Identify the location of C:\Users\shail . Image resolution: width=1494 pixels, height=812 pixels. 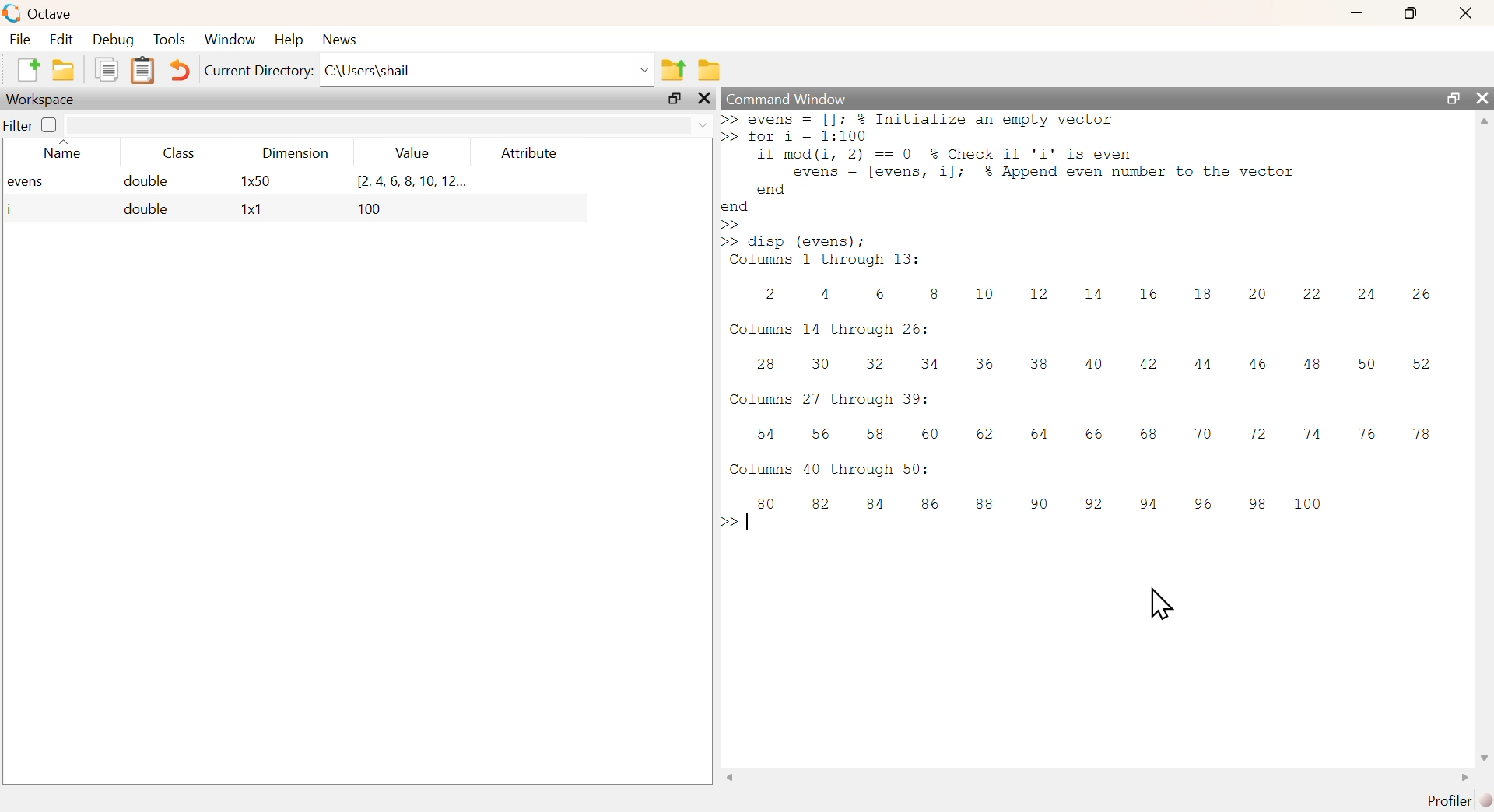
(488, 69).